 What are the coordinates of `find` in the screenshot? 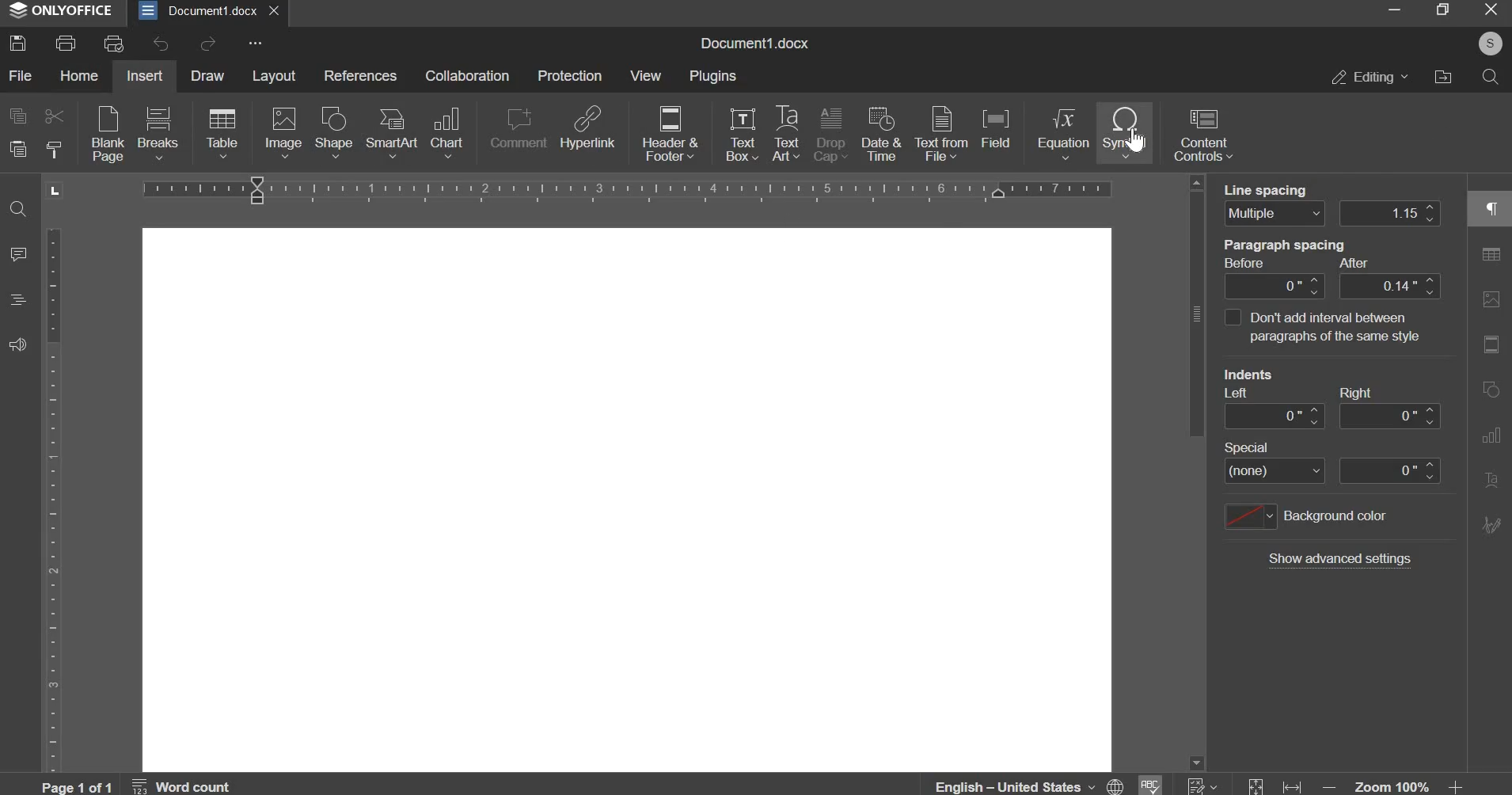 It's located at (17, 208).